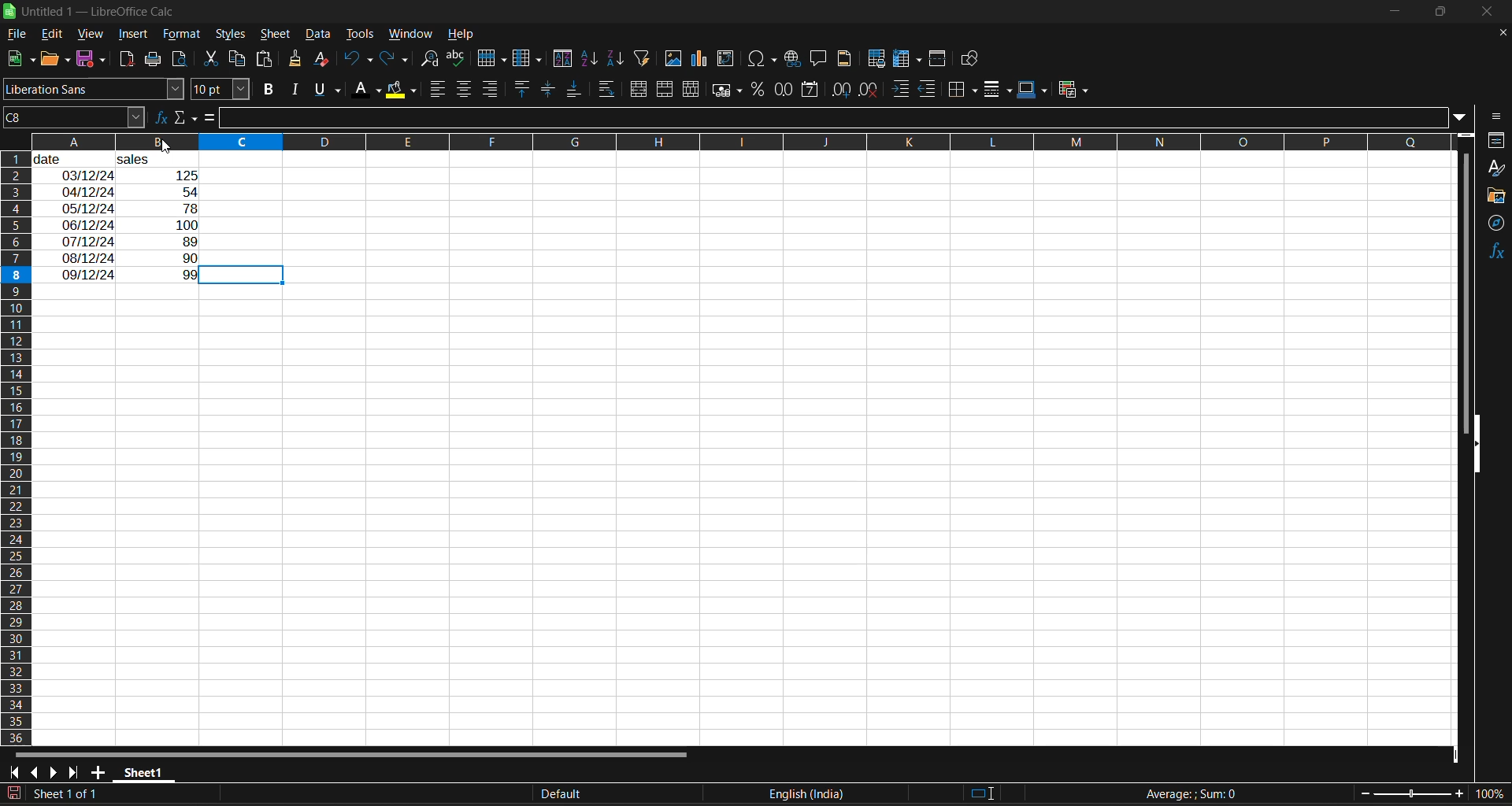 This screenshot has width=1512, height=806. Describe the element at coordinates (137, 35) in the screenshot. I see `insert` at that location.